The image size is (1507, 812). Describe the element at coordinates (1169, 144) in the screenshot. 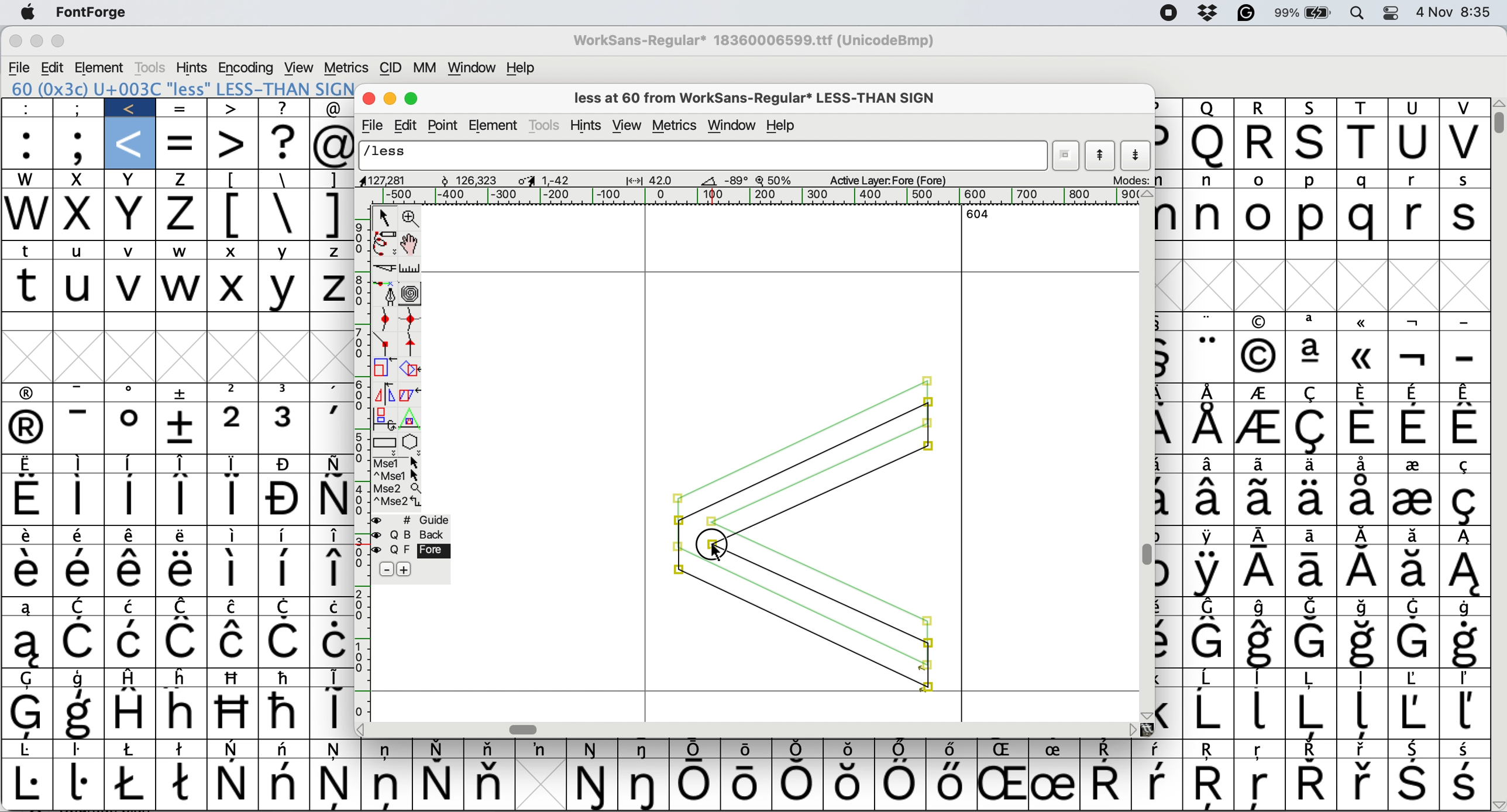

I see `p` at that location.